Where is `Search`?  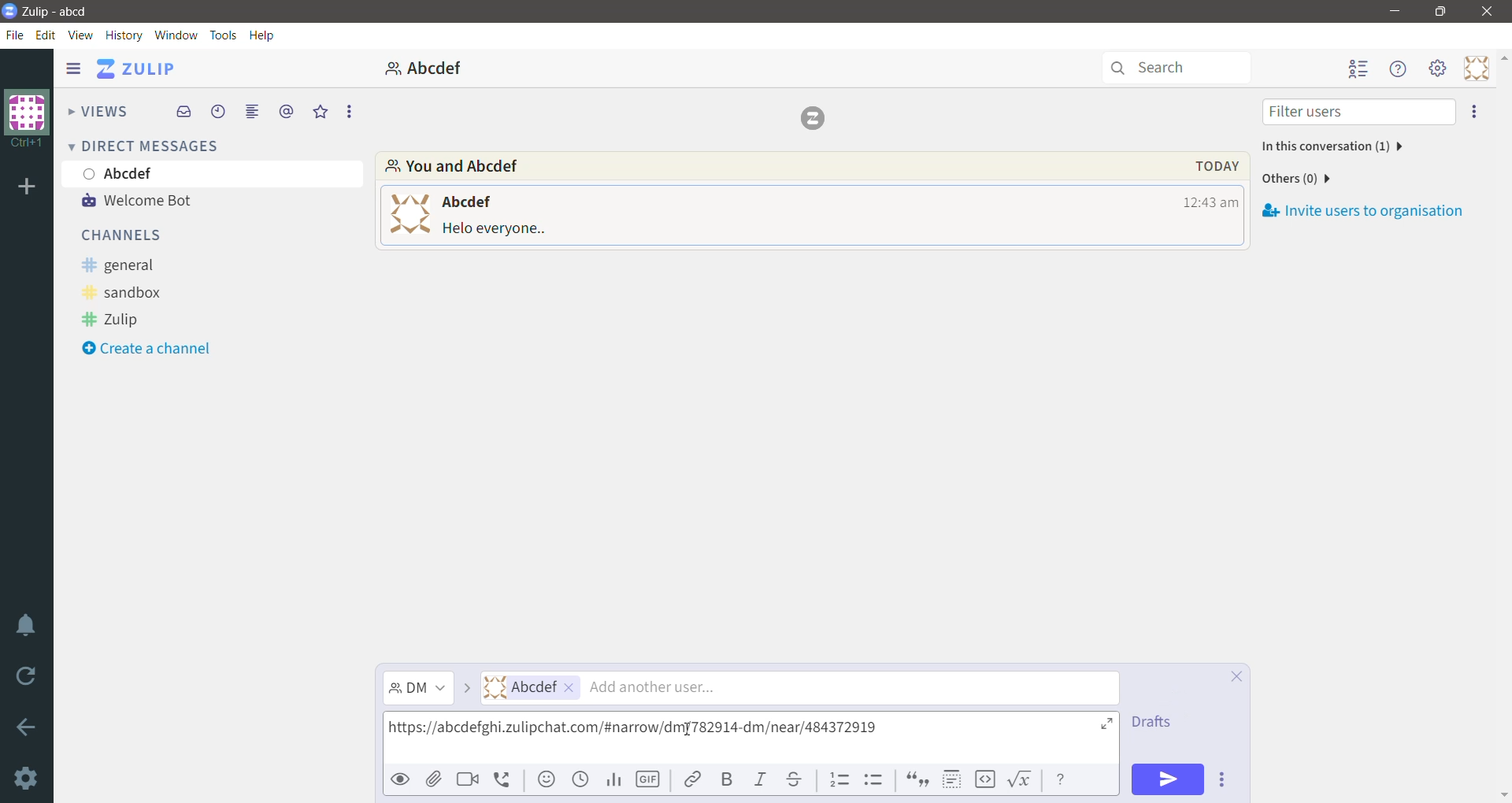 Search is located at coordinates (1176, 68).